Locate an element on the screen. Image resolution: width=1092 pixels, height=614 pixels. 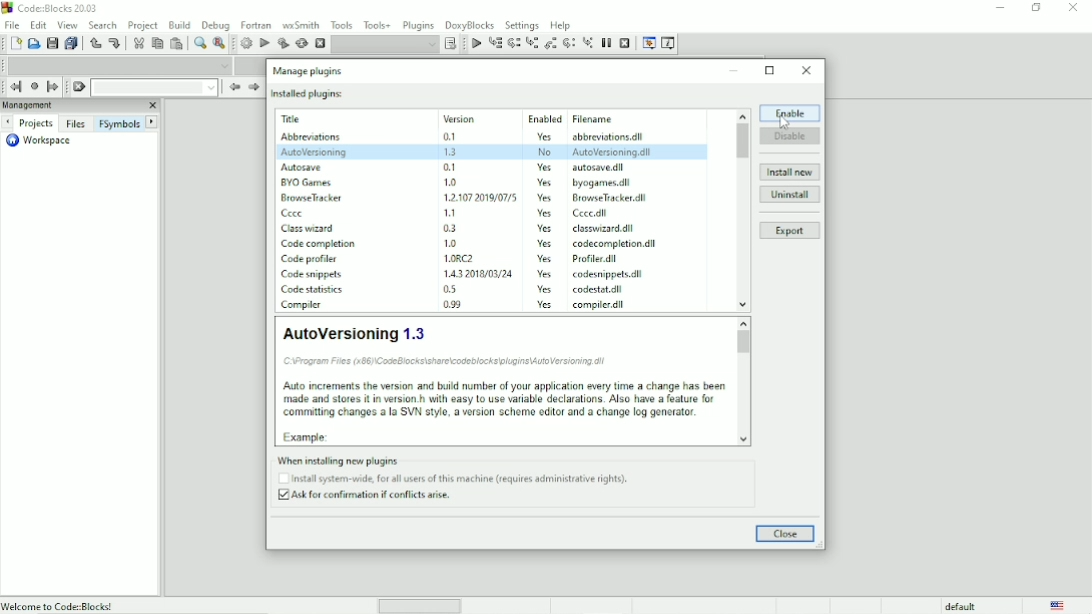
Redo is located at coordinates (115, 44).